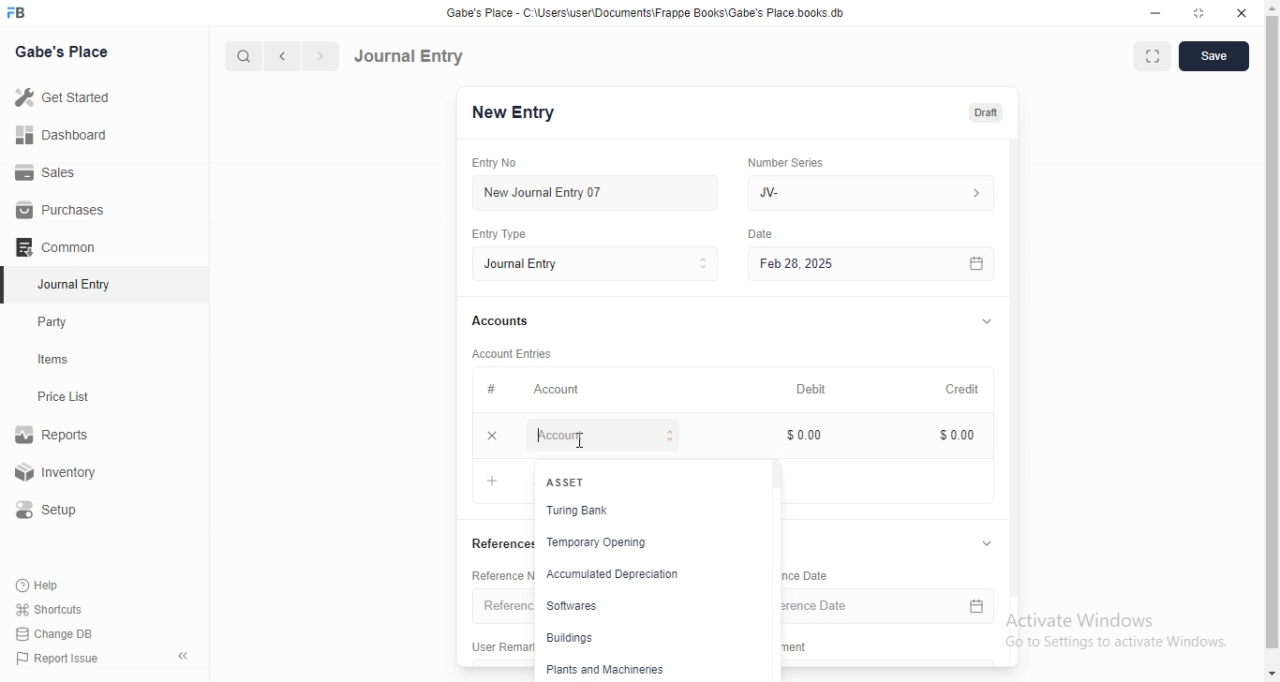  Describe the element at coordinates (409, 56) in the screenshot. I see `Journal Entry` at that location.